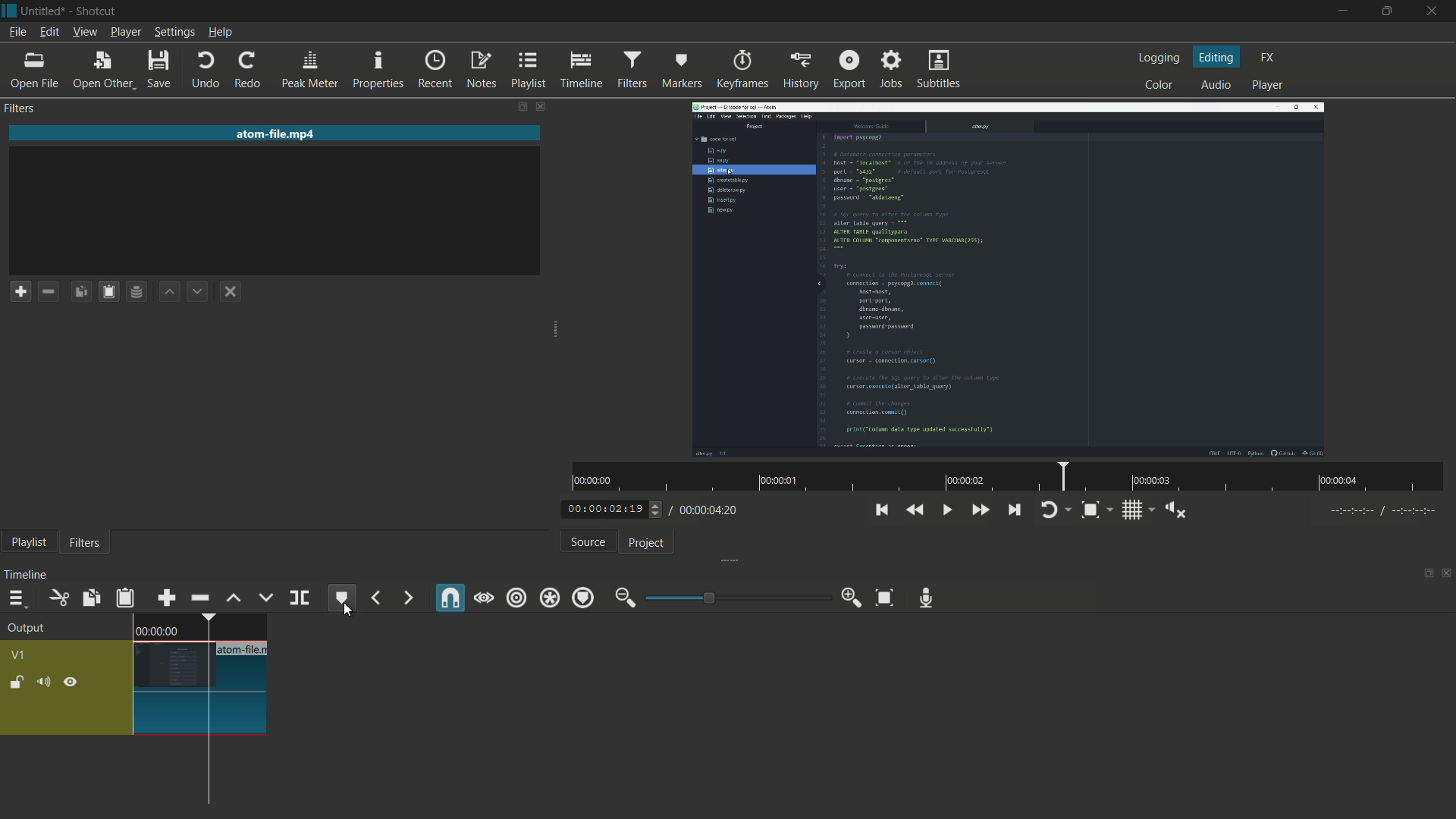 Image resolution: width=1456 pixels, height=819 pixels. What do you see at coordinates (1050, 510) in the screenshot?
I see `toggle player looping` at bounding box center [1050, 510].